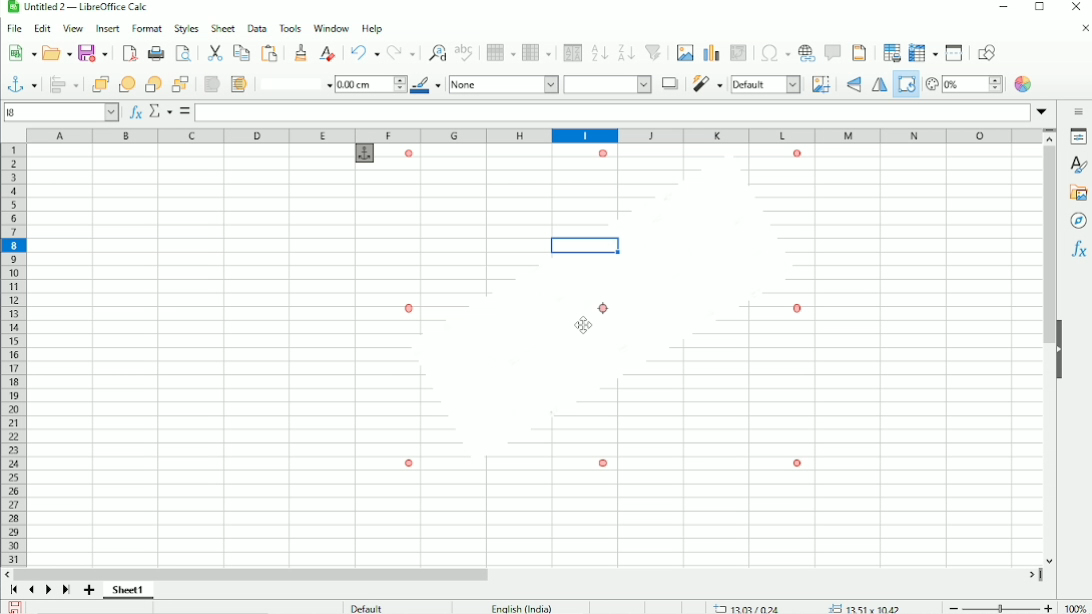 This screenshot has width=1092, height=614. What do you see at coordinates (1077, 193) in the screenshot?
I see `Gallery` at bounding box center [1077, 193].